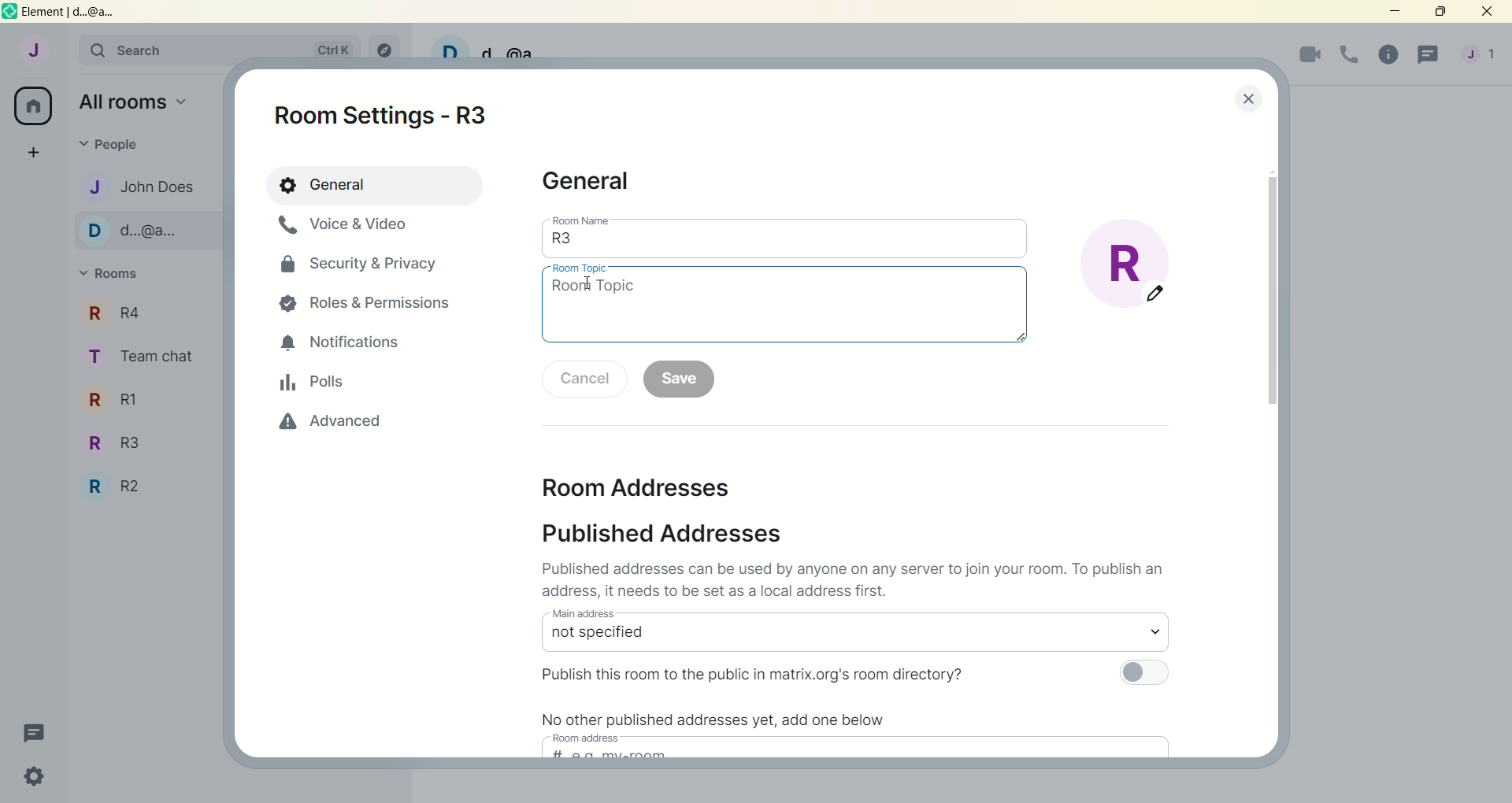 This screenshot has width=1512, height=803. I want to click on minimize, so click(1398, 14).